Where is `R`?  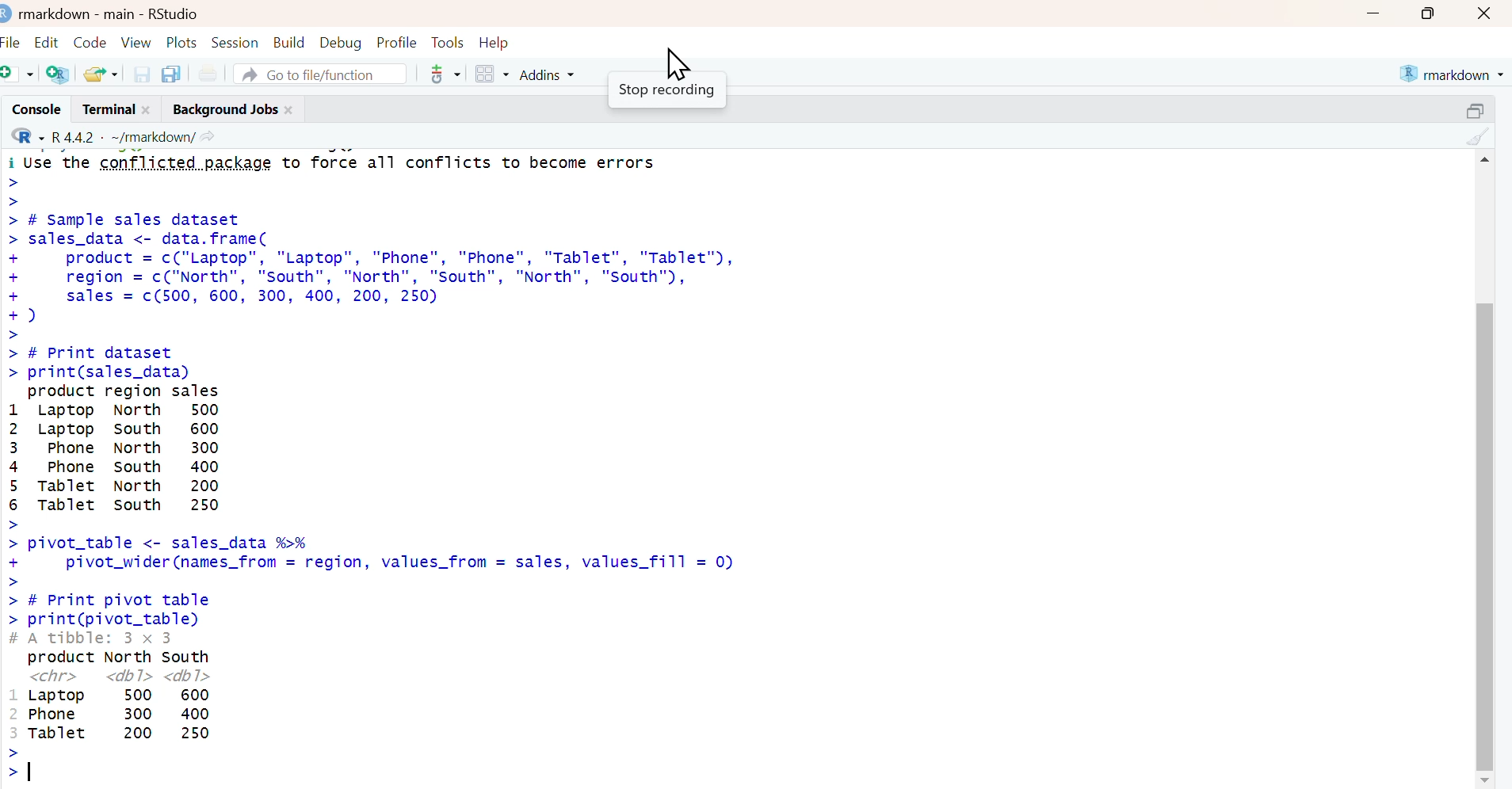
R is located at coordinates (25, 135).